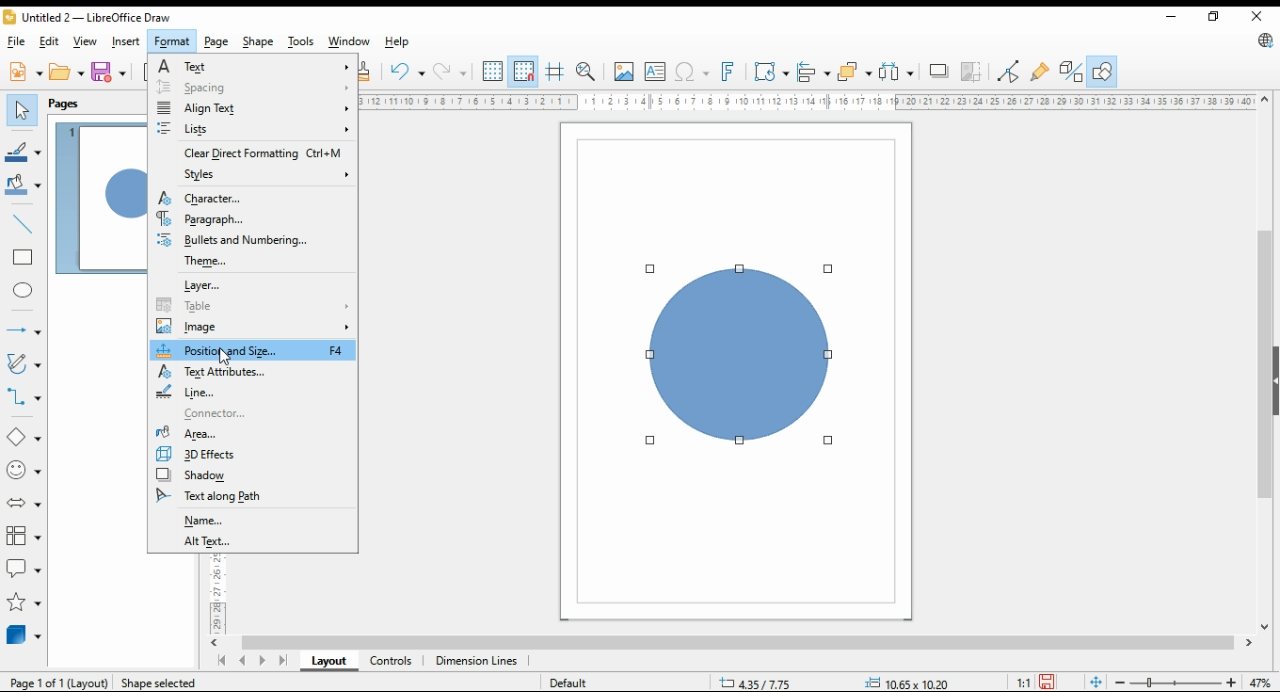 The image size is (1280, 692). What do you see at coordinates (241, 241) in the screenshot?
I see `bullets and numbering` at bounding box center [241, 241].